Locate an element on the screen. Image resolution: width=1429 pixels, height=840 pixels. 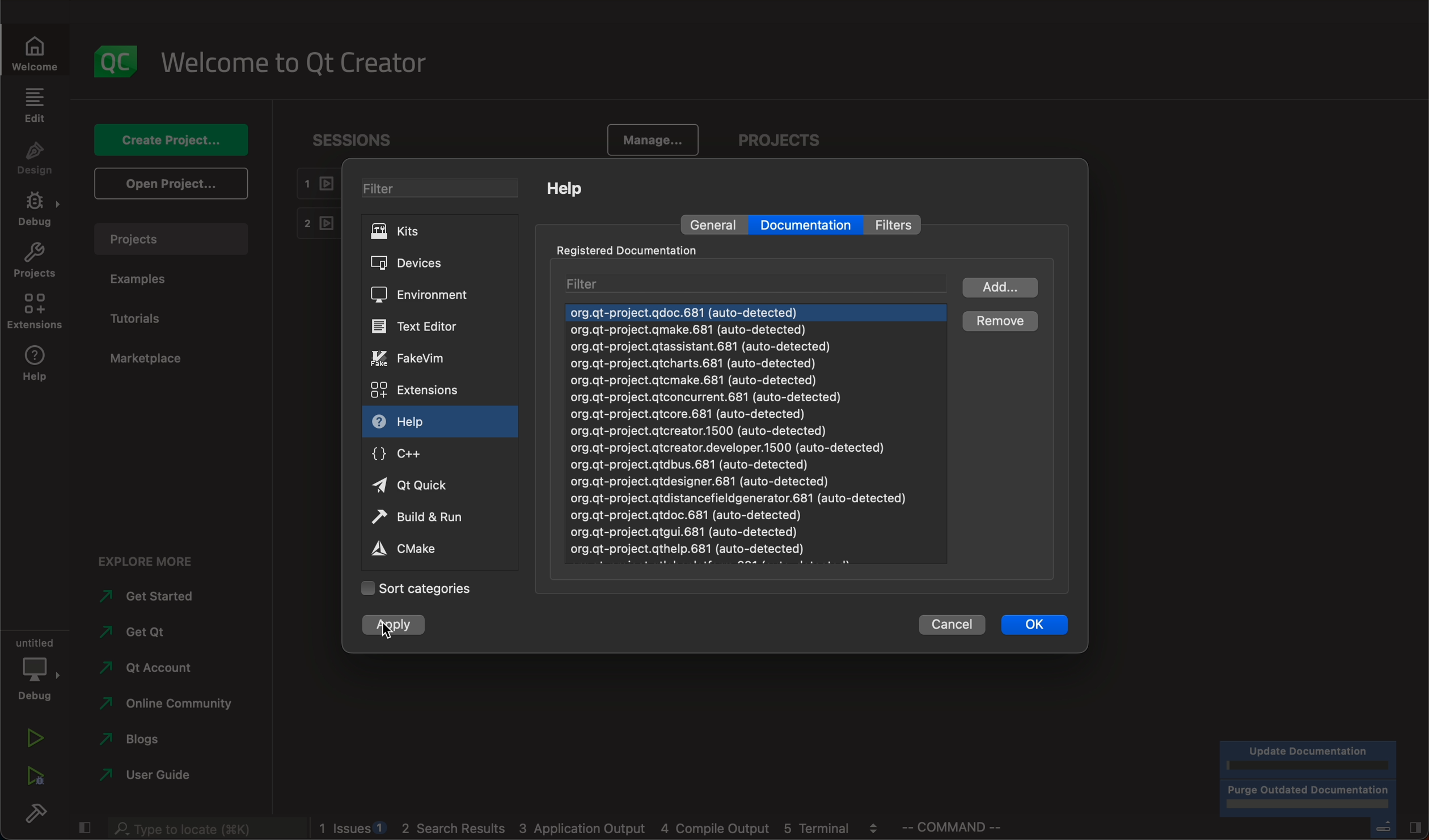
org.gt-project.qdoc.681 (auto-detected)
org.gt-project.gmake.681 (auto-detected)
org.qt-project.qtassistant.681 (auto-detected)
org.qt-project.qtcharts.681 (auto-detected)
org.gt-project.gtcmake.681 (auto-detected)
org.gt-project.gtconcurrent.681 (auto-detected)
org.qt-project.qtcore.681 (auto-detected)
org.gt-project.qtcreator.1500 (auto-detected)
org.qt-project.qtcreator.developer.1500 (auto-detected)
org.qt-project.qtdbus.681 (auto-detected)
org.qt-project.qtdesigner.681 (auto-detected)
org.gt-project.qtdistancefieldgenerator.681 (auto-detected)
org.qt-project.qtdoc.681 (auto-detected)
org.gt-project.qtgui.681 (auto-detected) is located at coordinates (737, 448).